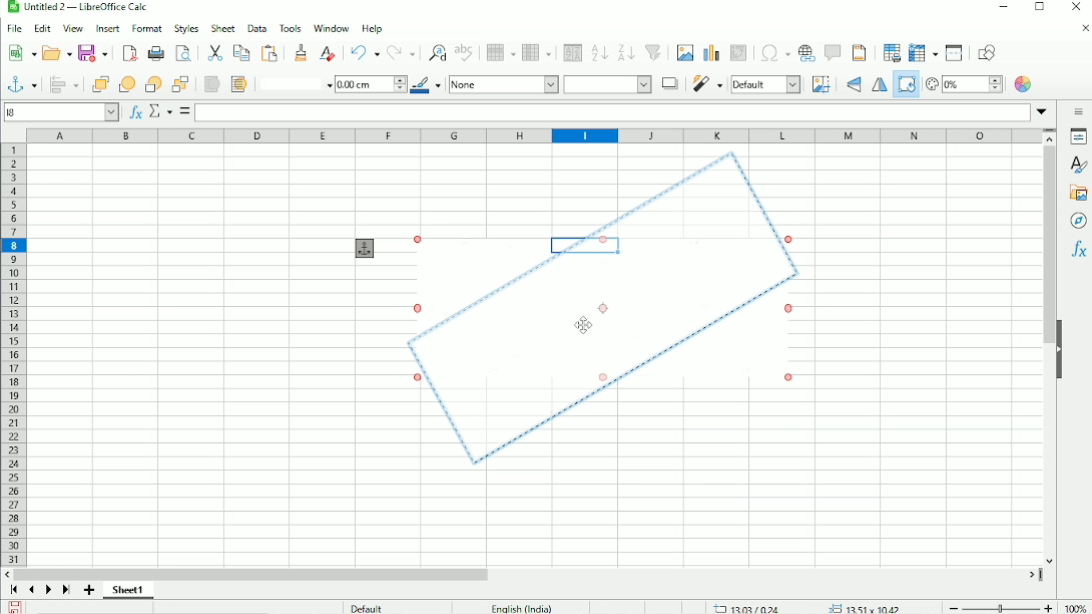 Image resolution: width=1092 pixels, height=614 pixels. Describe the element at coordinates (14, 354) in the screenshot. I see `Row headings` at that location.